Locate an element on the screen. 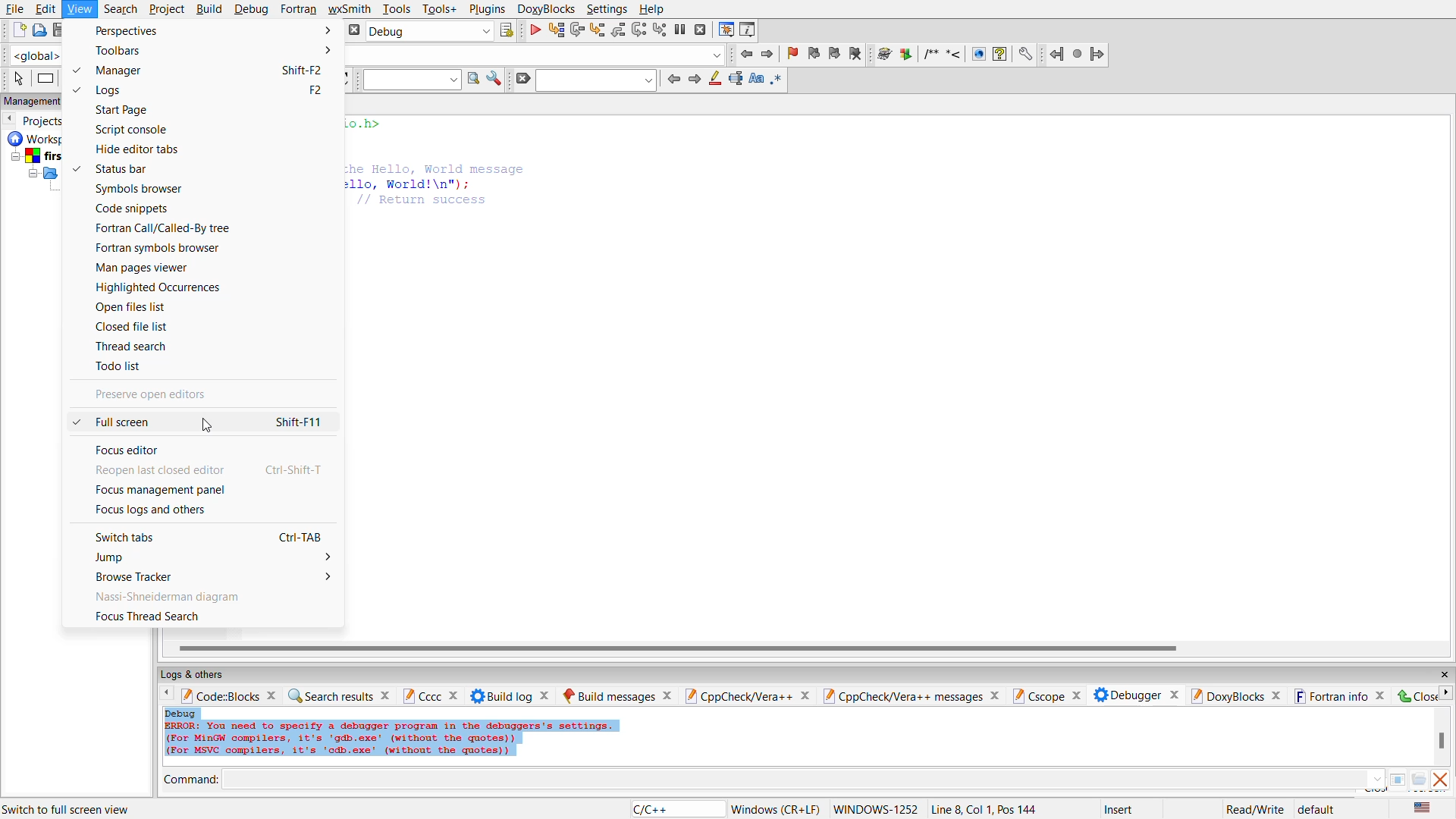 Image resolution: width=1456 pixels, height=819 pixels. tools+ is located at coordinates (442, 8).